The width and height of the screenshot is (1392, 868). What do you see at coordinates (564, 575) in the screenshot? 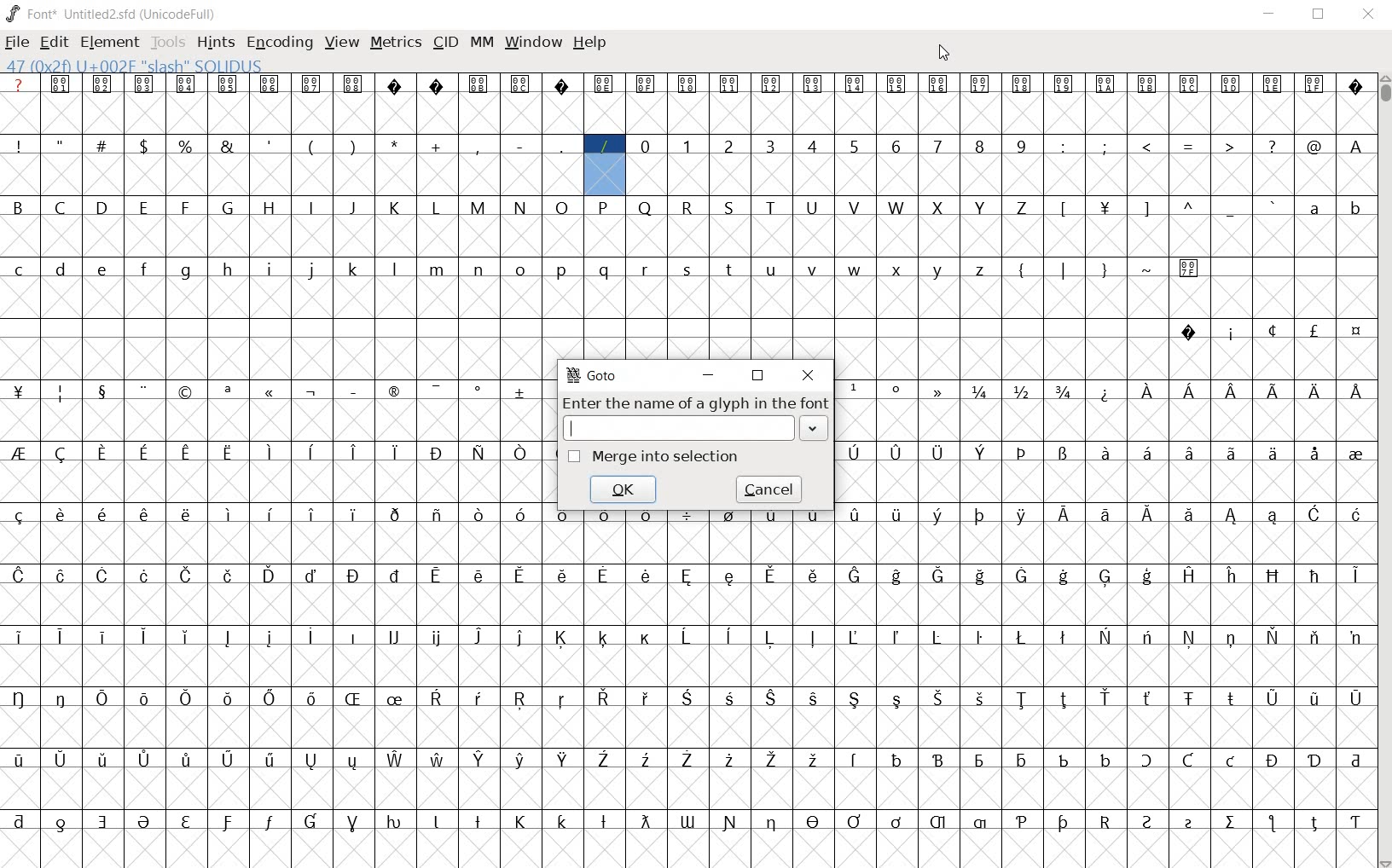
I see `glyph` at bounding box center [564, 575].